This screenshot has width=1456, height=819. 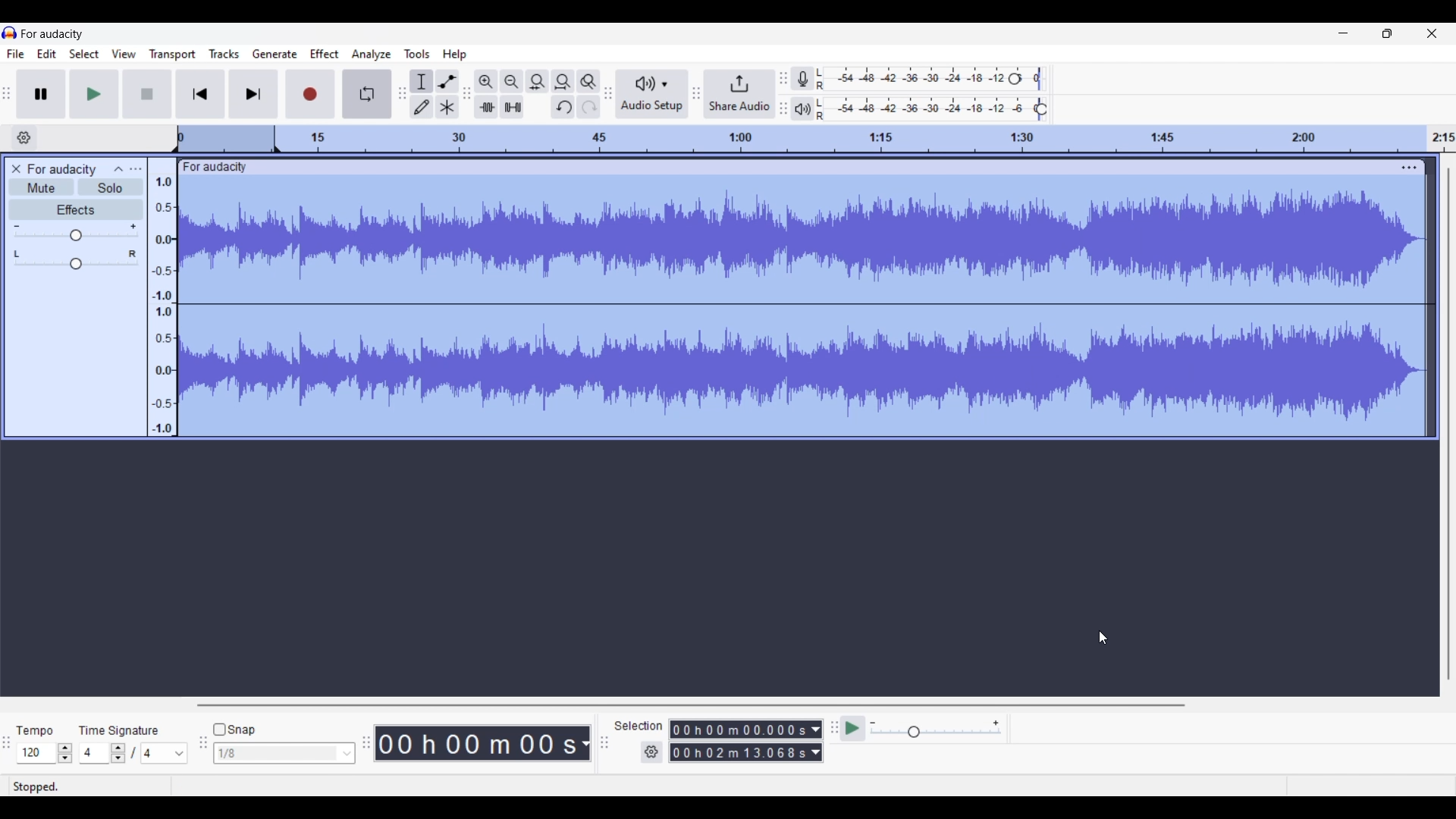 I want to click on Recording level, so click(x=915, y=79).